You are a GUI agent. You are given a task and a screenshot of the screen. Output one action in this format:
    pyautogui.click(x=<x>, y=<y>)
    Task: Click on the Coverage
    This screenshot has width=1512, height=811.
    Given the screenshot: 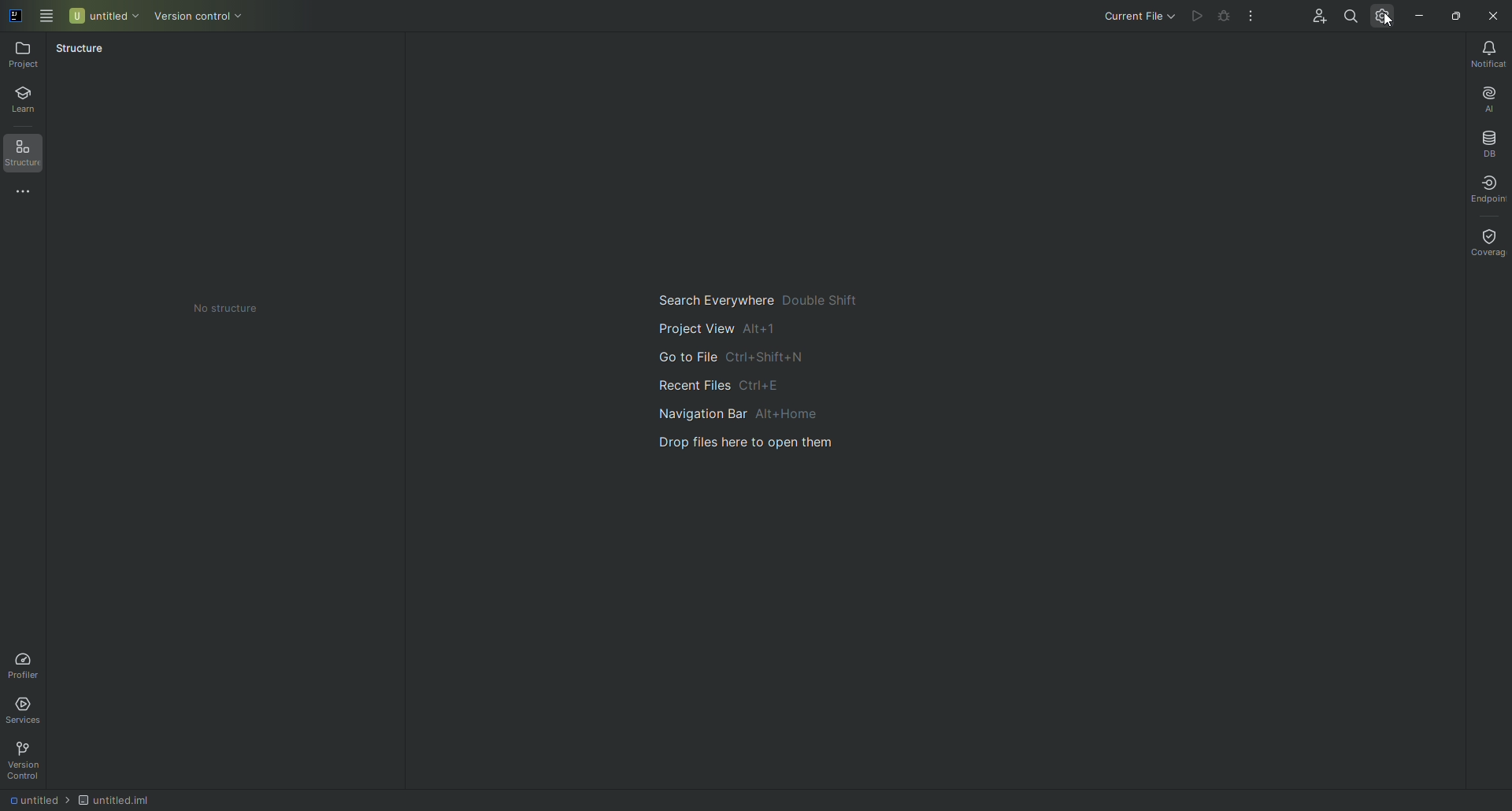 What is the action you would take?
    pyautogui.click(x=1486, y=243)
    